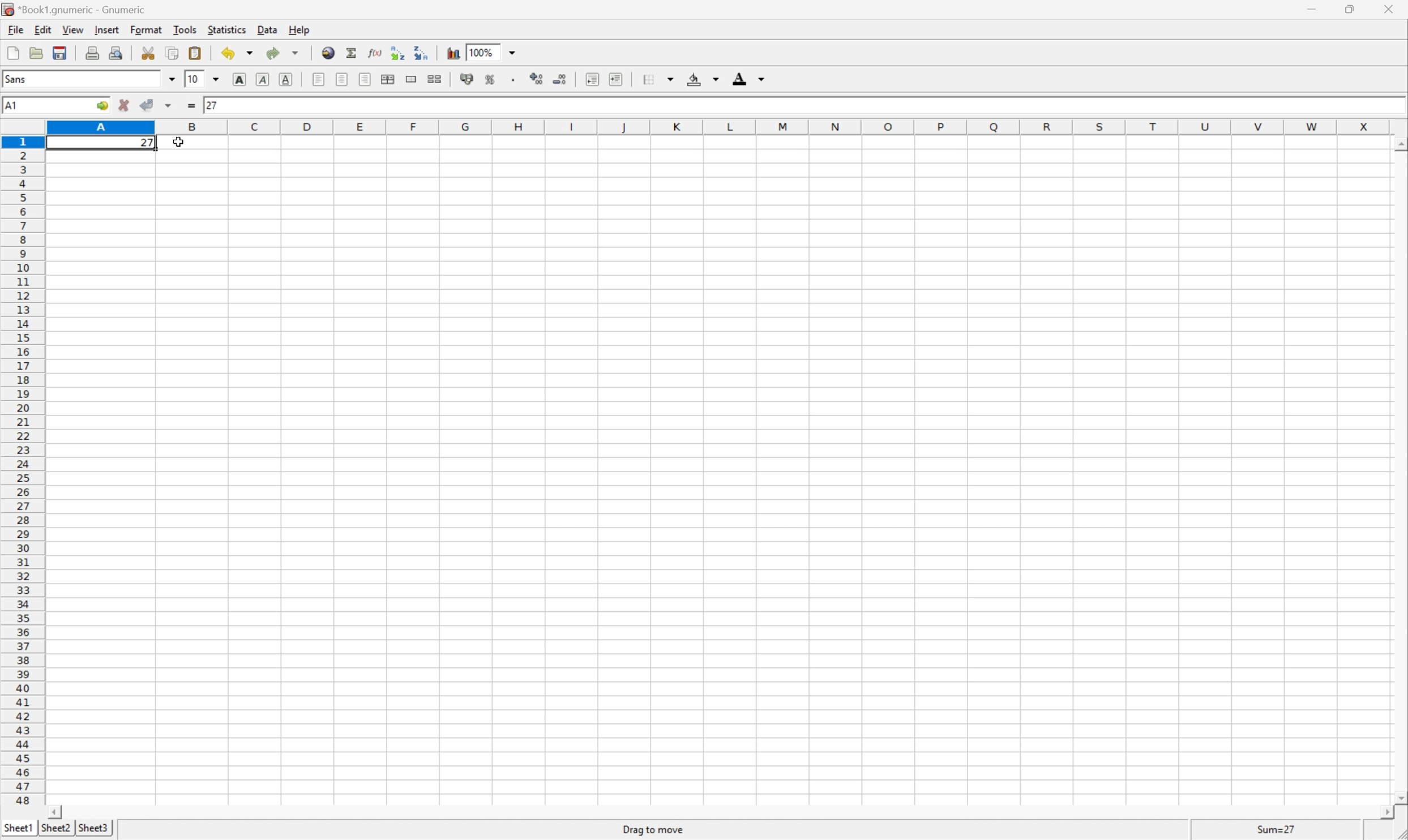 This screenshot has width=1408, height=840. Describe the element at coordinates (485, 52) in the screenshot. I see `100%` at that location.